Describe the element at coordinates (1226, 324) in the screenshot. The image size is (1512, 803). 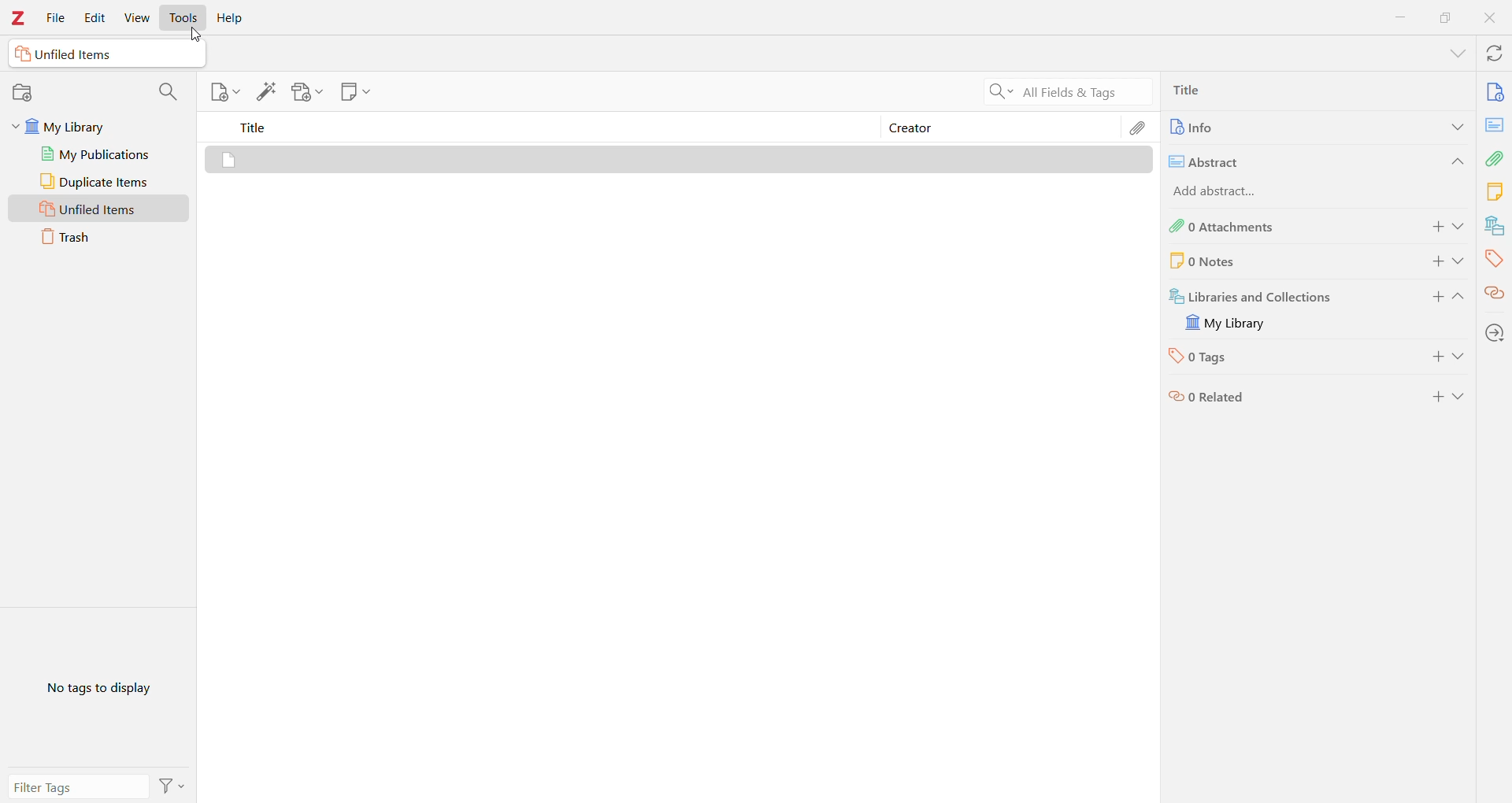
I see `Library available` at that location.